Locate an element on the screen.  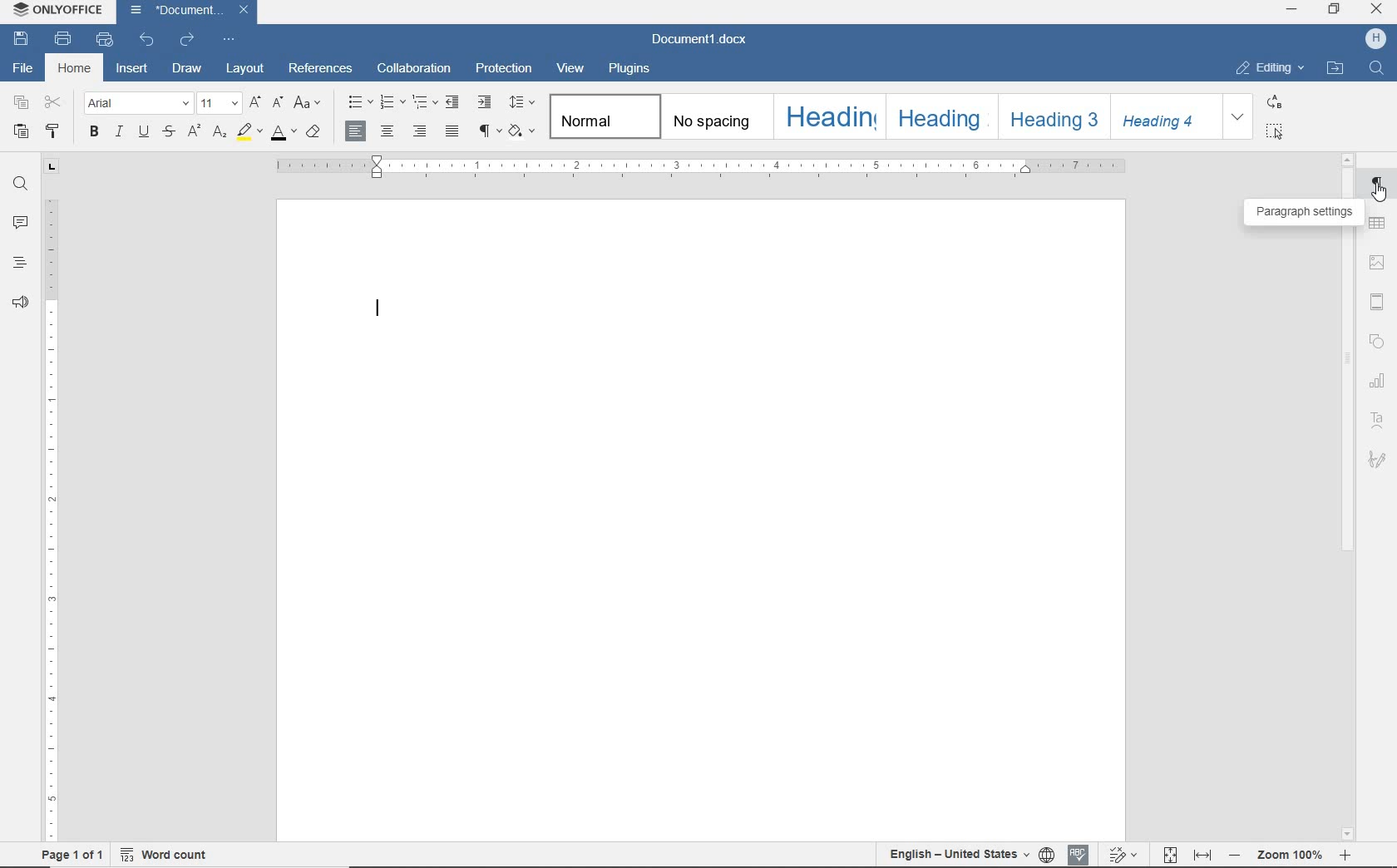
heading1 is located at coordinates (832, 116).